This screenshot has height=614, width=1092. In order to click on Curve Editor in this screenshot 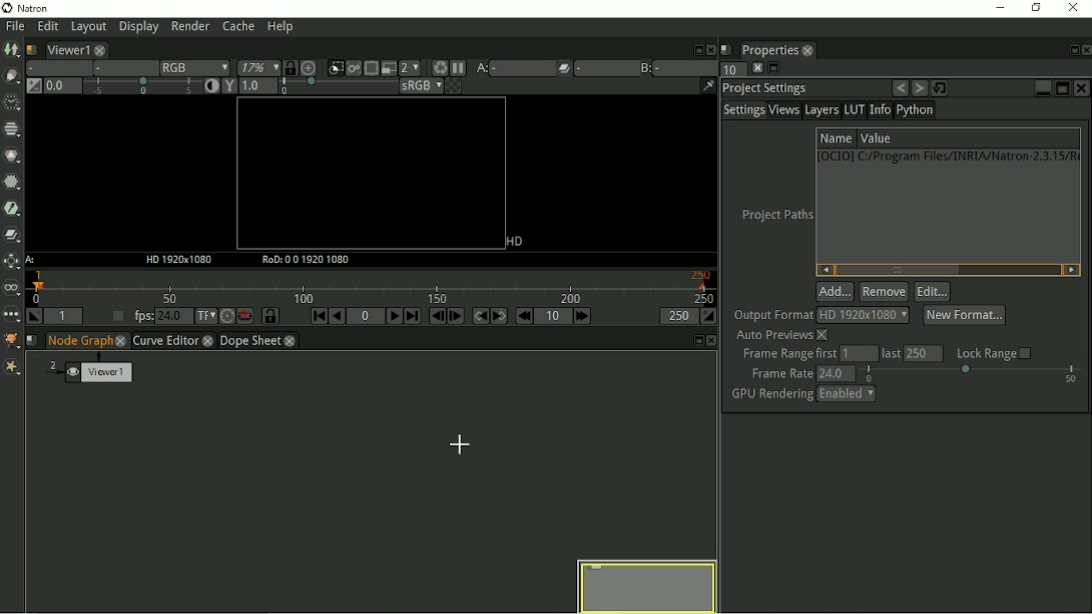, I will do `click(173, 341)`.